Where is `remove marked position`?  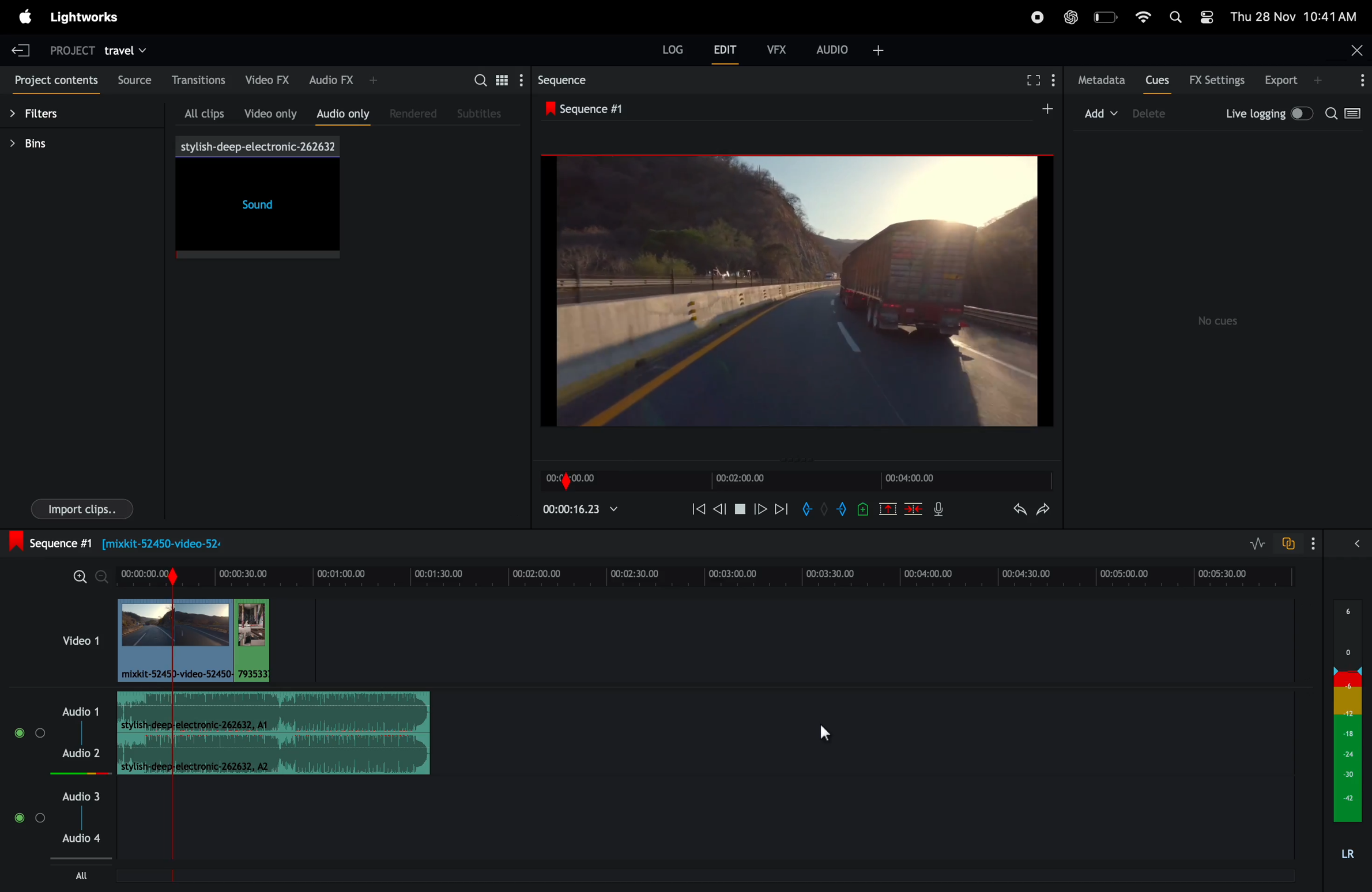
remove marked position is located at coordinates (887, 508).